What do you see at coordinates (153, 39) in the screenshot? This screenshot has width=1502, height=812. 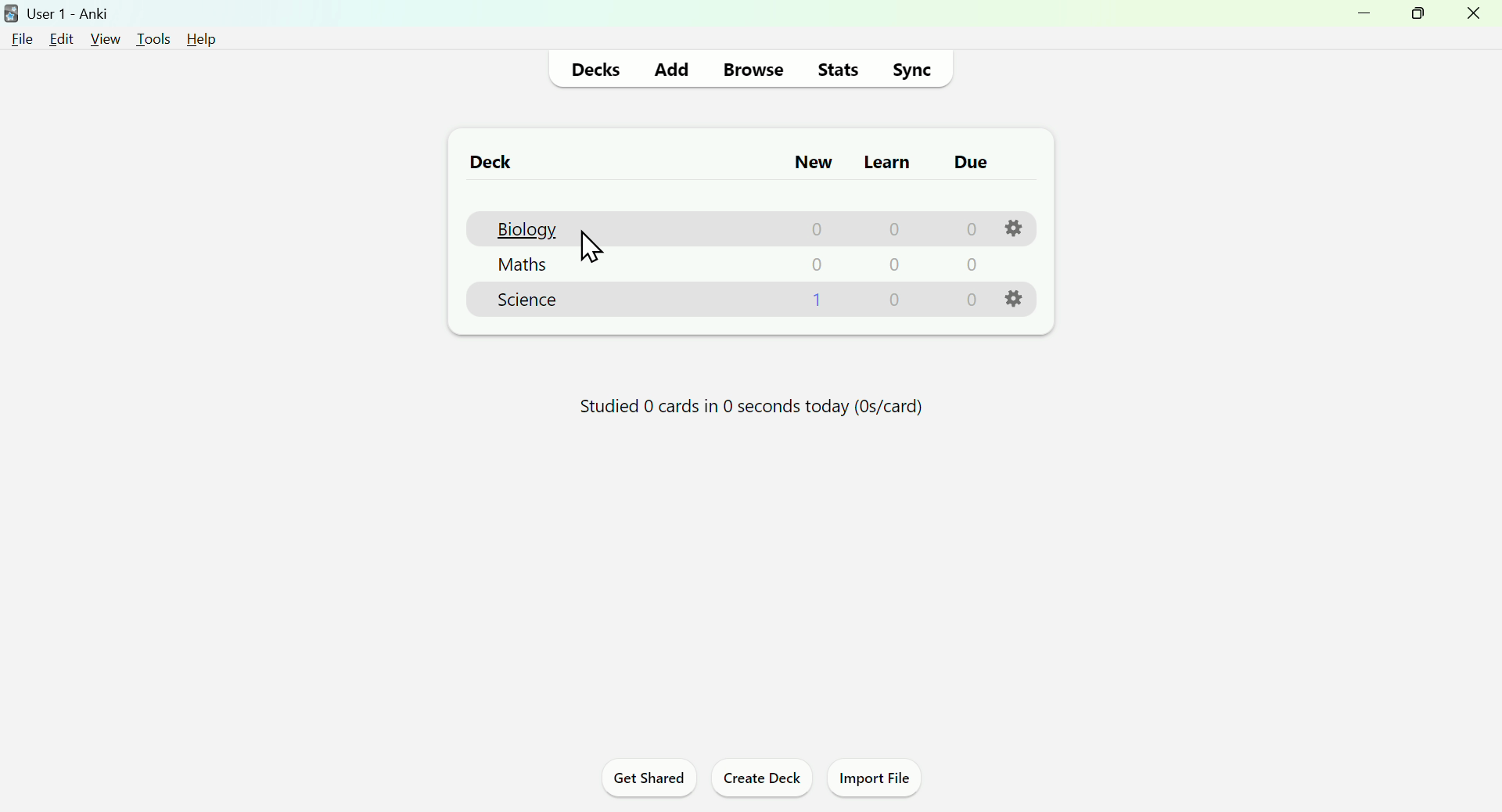 I see `tools` at bounding box center [153, 39].